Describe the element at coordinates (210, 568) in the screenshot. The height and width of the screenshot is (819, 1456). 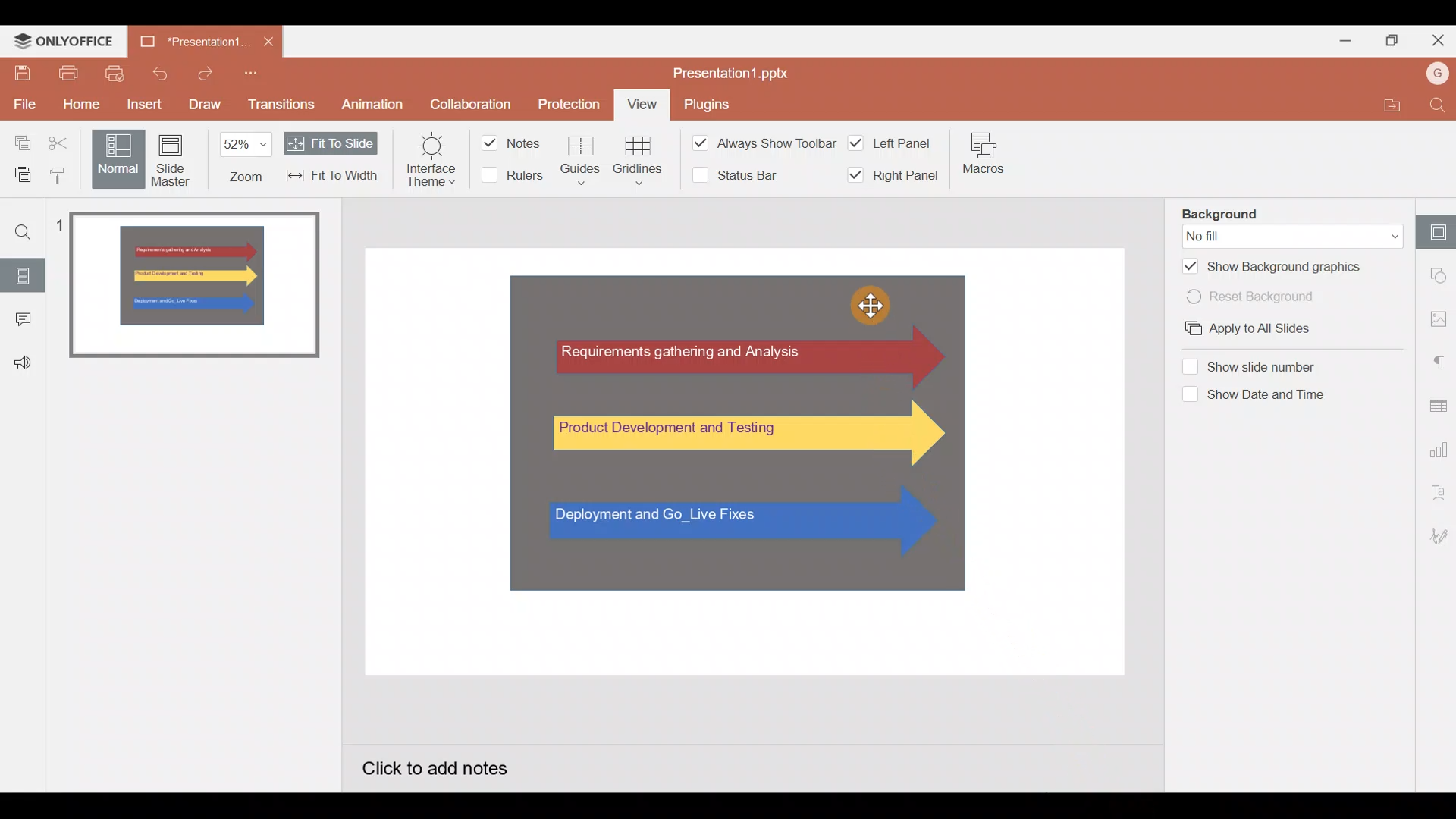
I see `Slide pane` at that location.